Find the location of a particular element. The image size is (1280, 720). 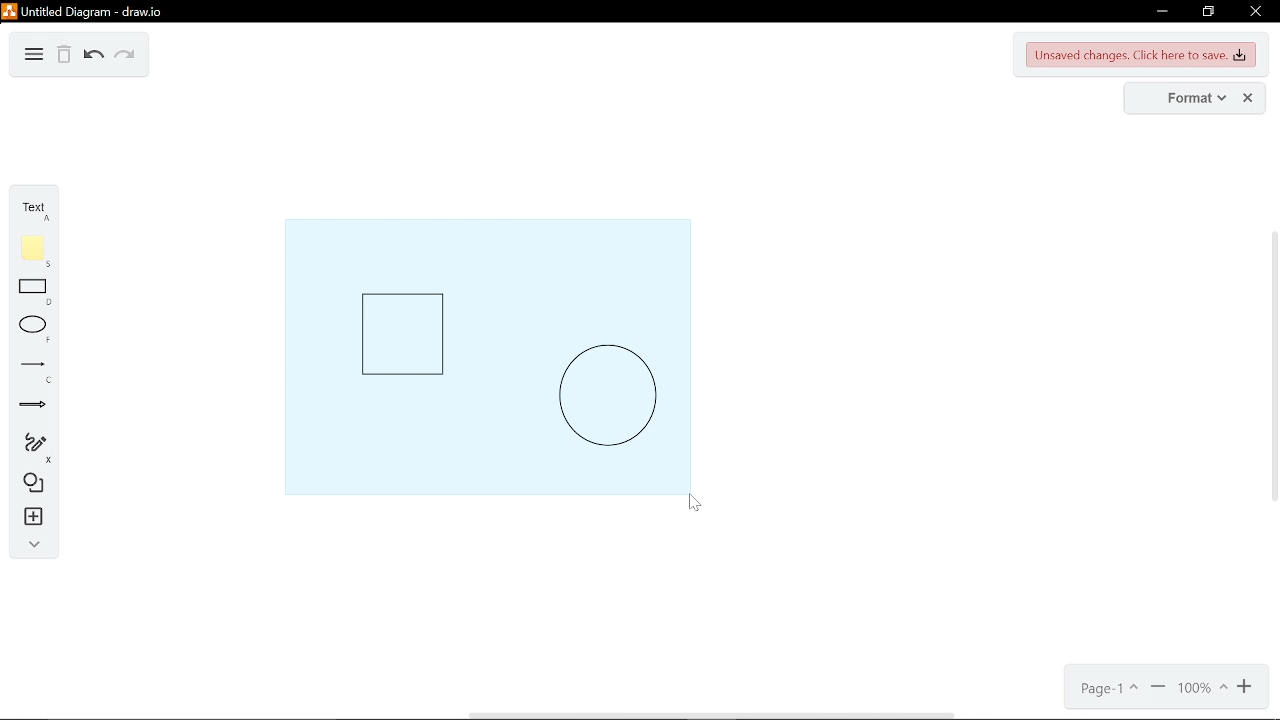

zoom out is located at coordinates (1158, 689).